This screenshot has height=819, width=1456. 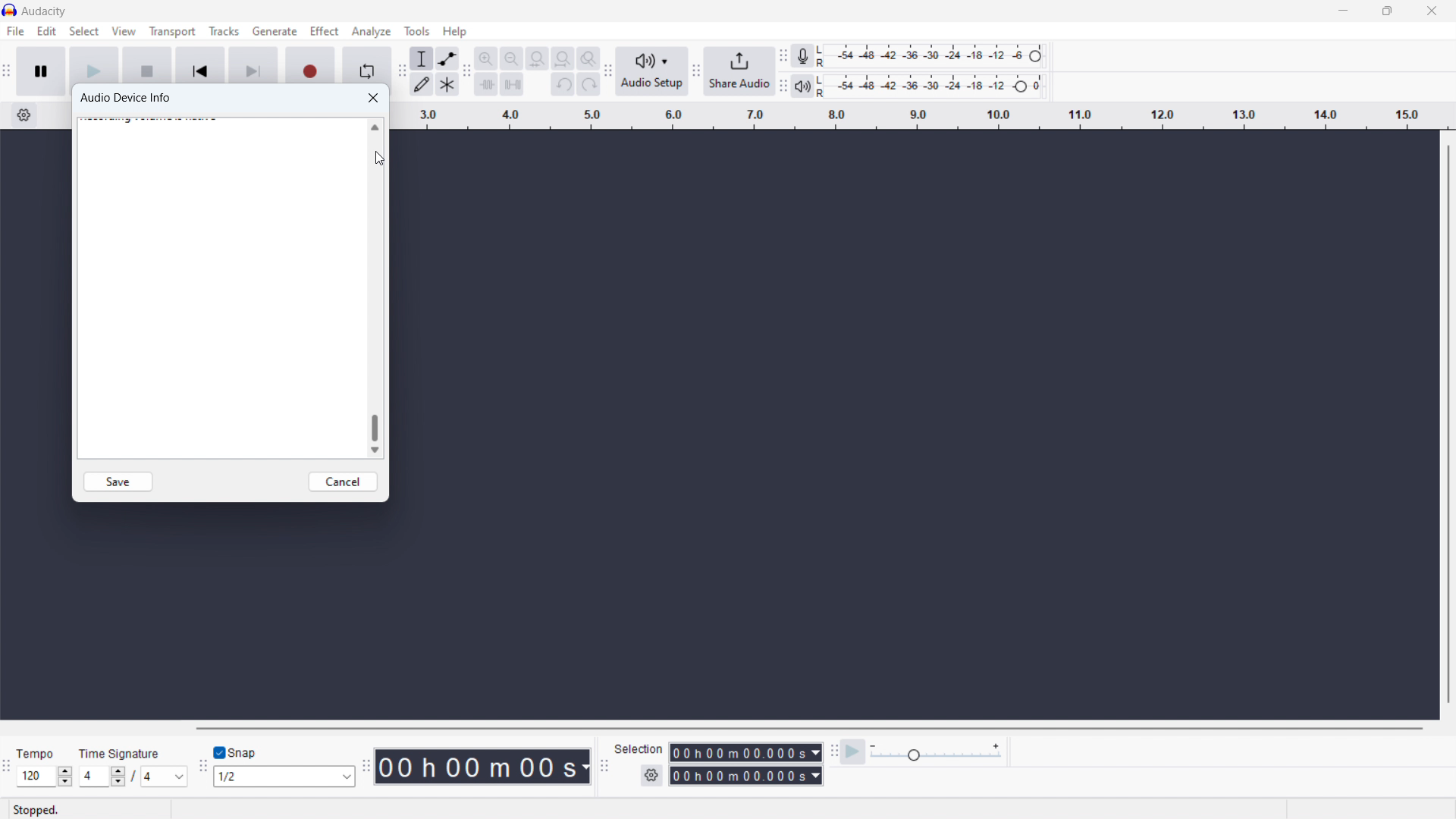 I want to click on play at speed, so click(x=854, y=752).